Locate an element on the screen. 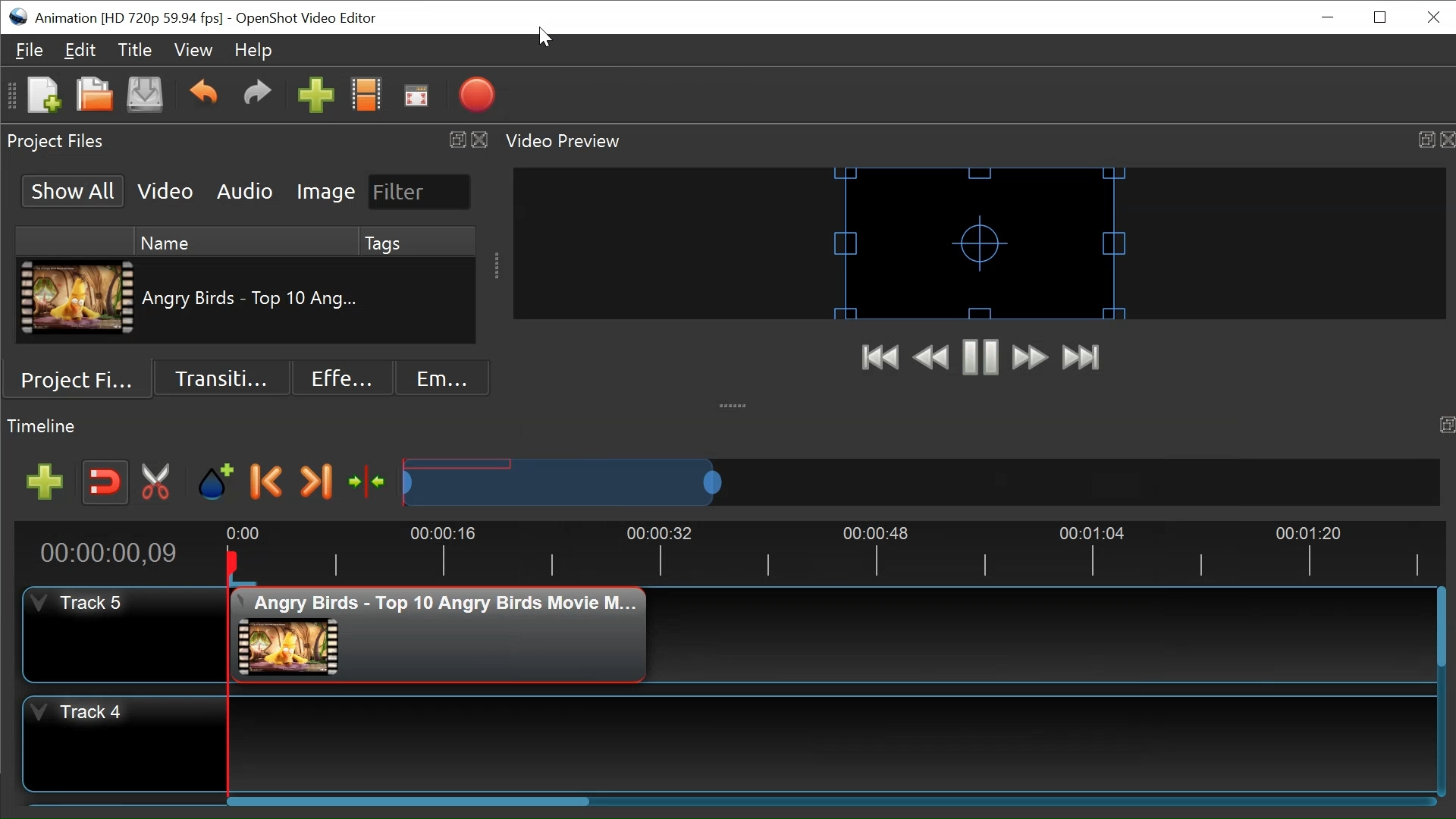  Filter is located at coordinates (420, 192).